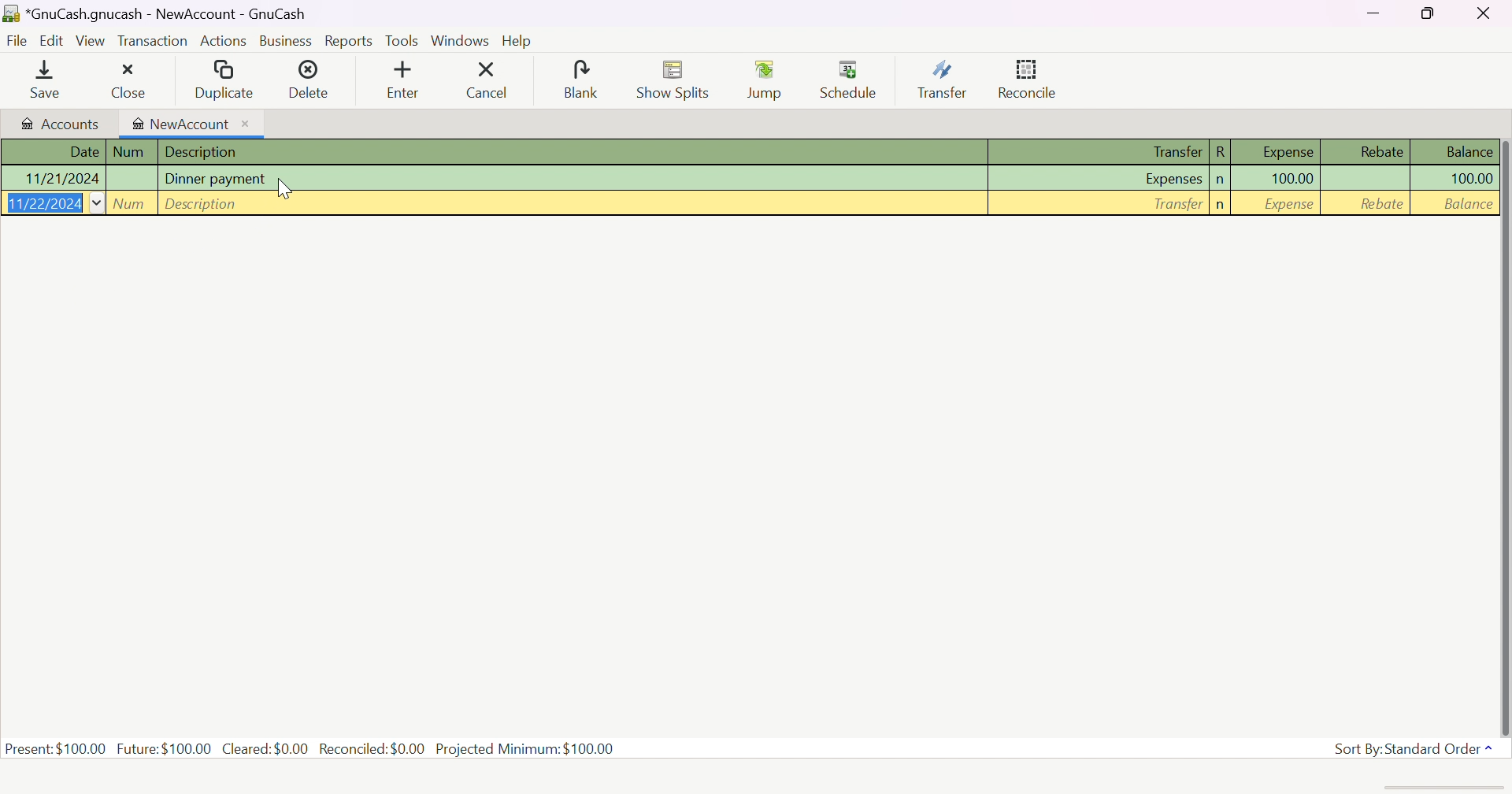  I want to click on Description, so click(206, 153).